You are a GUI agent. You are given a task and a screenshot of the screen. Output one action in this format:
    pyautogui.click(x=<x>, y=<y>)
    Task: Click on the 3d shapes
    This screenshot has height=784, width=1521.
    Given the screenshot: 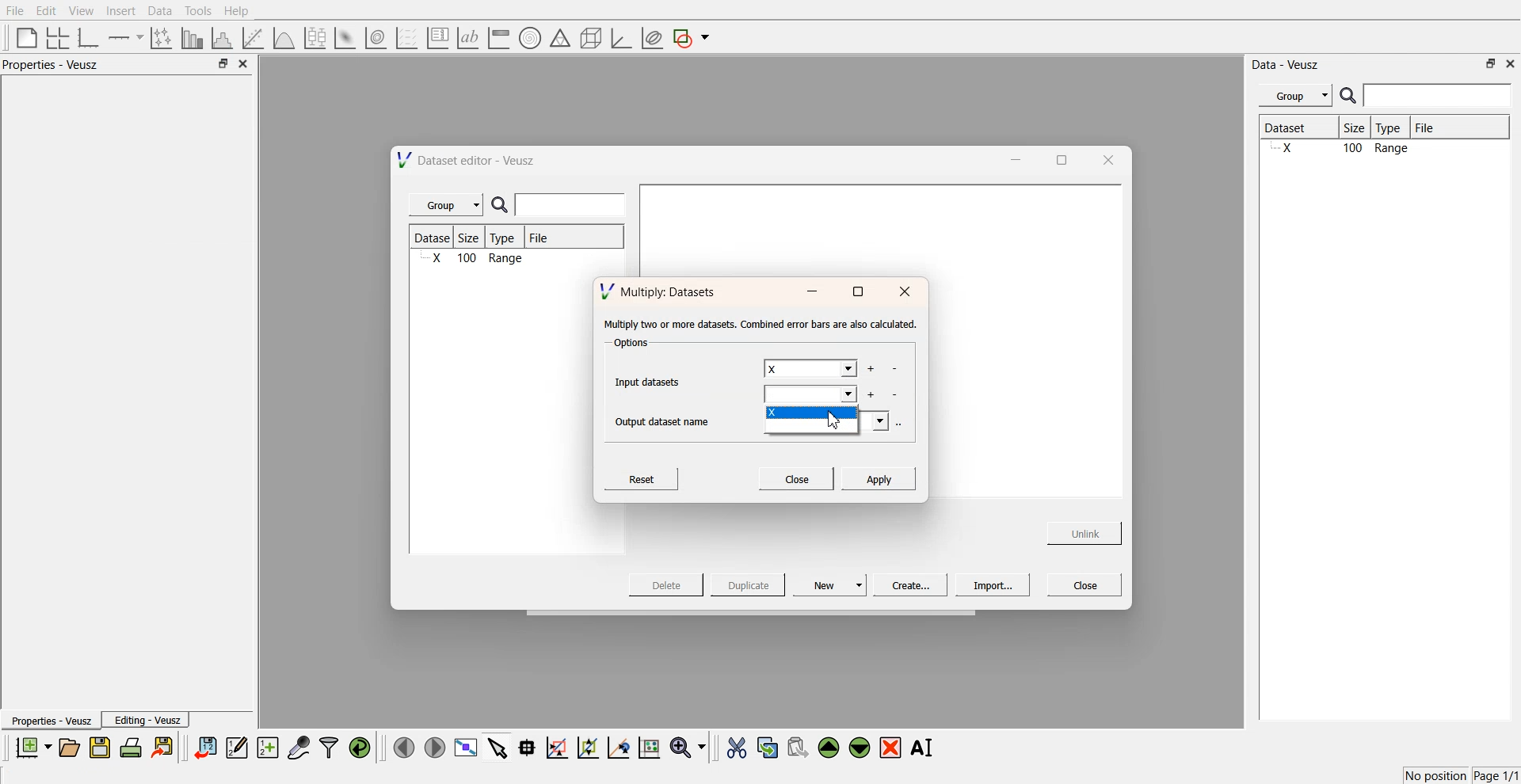 What is the action you would take?
    pyautogui.click(x=588, y=38)
    